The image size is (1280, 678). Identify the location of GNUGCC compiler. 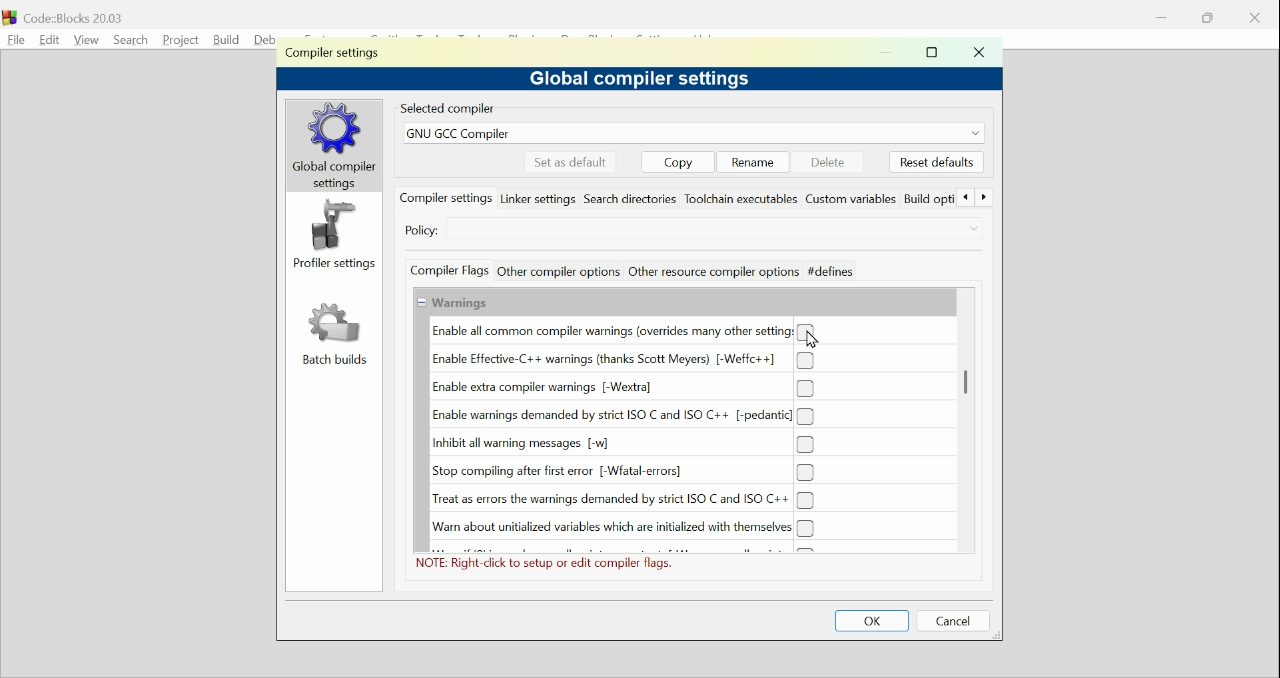
(692, 133).